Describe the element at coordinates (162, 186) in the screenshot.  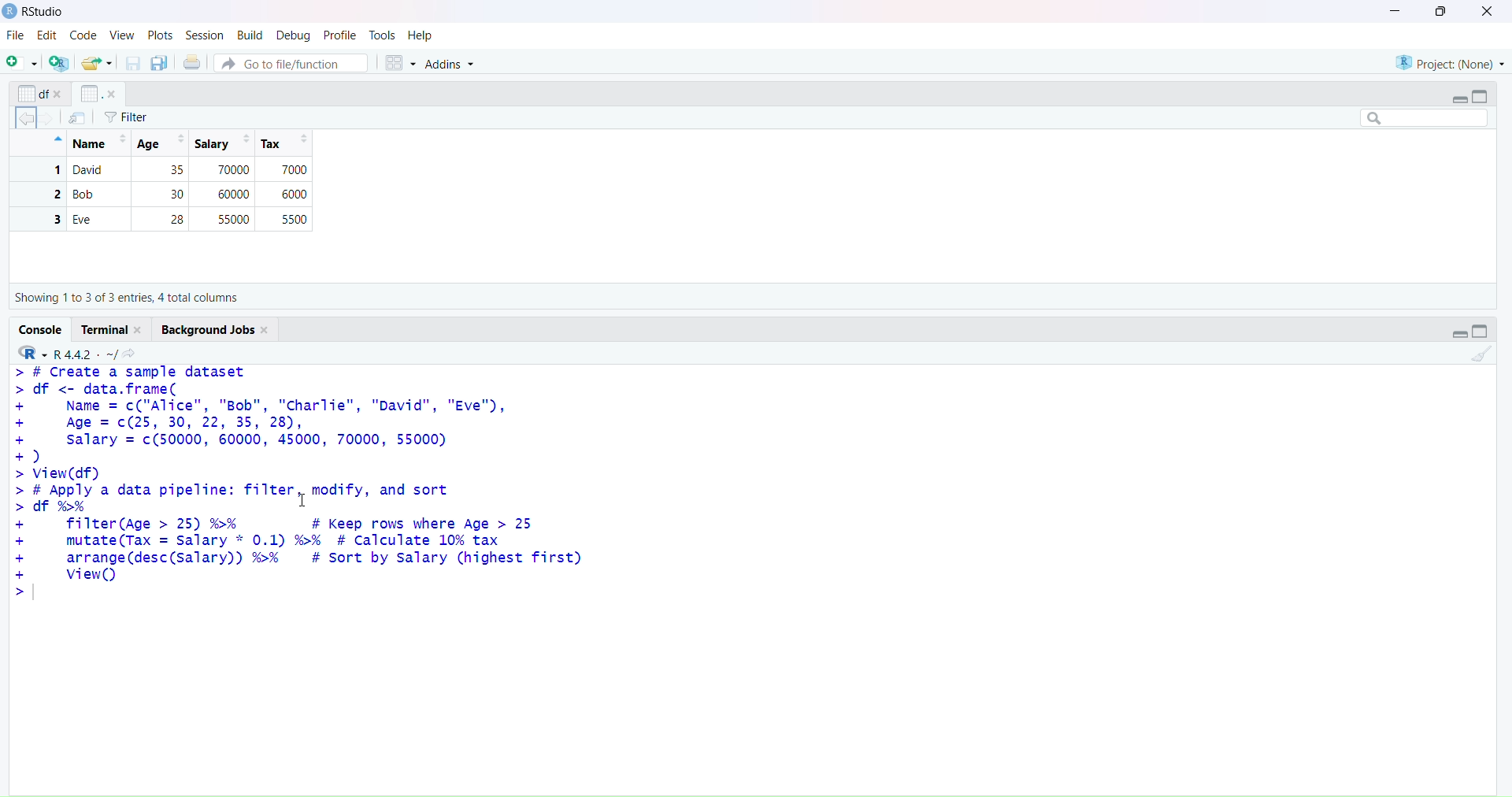
I see `Name | Age| Salary | Tax 1 Alice 25 50000  7000 2 Bob 30 60000 6000 3 Eve 28 55000 5500` at that location.